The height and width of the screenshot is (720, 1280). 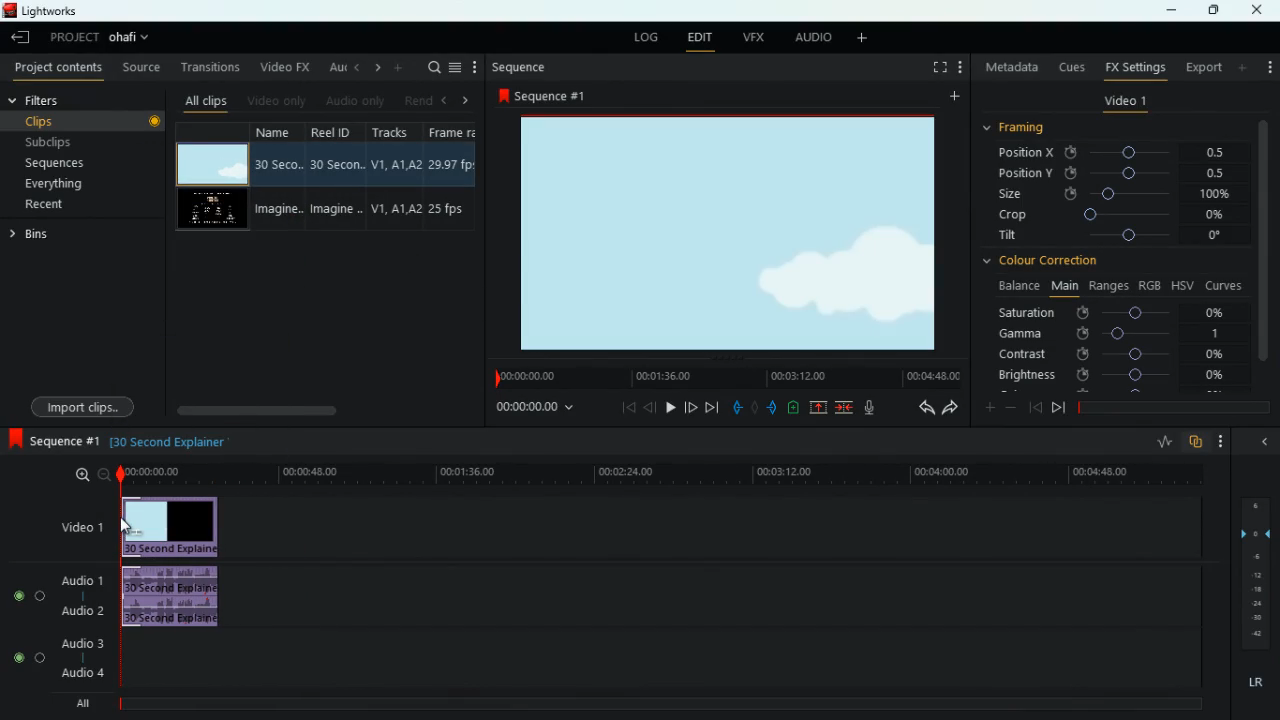 I want to click on au, so click(x=331, y=67).